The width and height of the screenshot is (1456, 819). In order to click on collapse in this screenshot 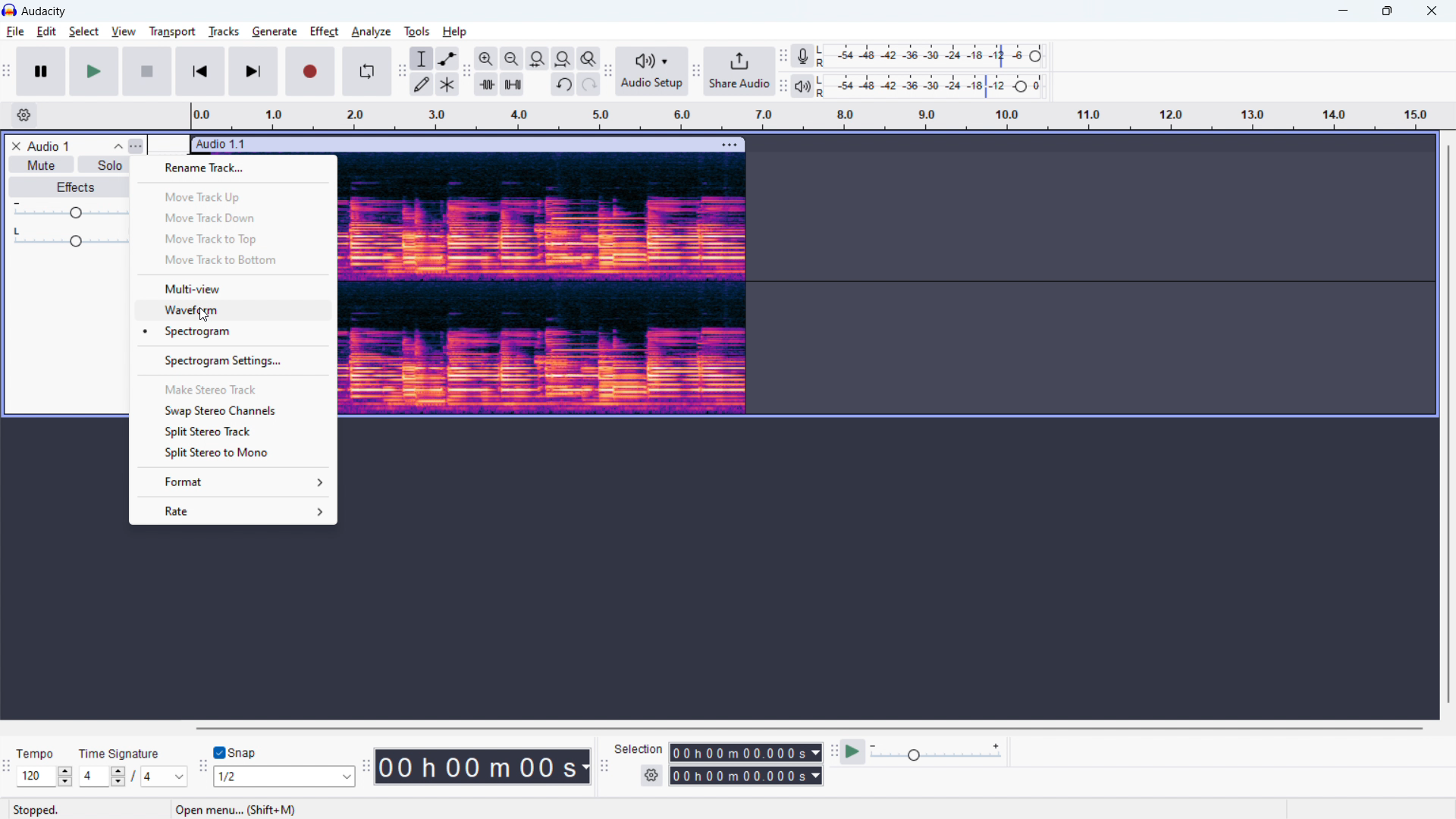, I will do `click(118, 146)`.